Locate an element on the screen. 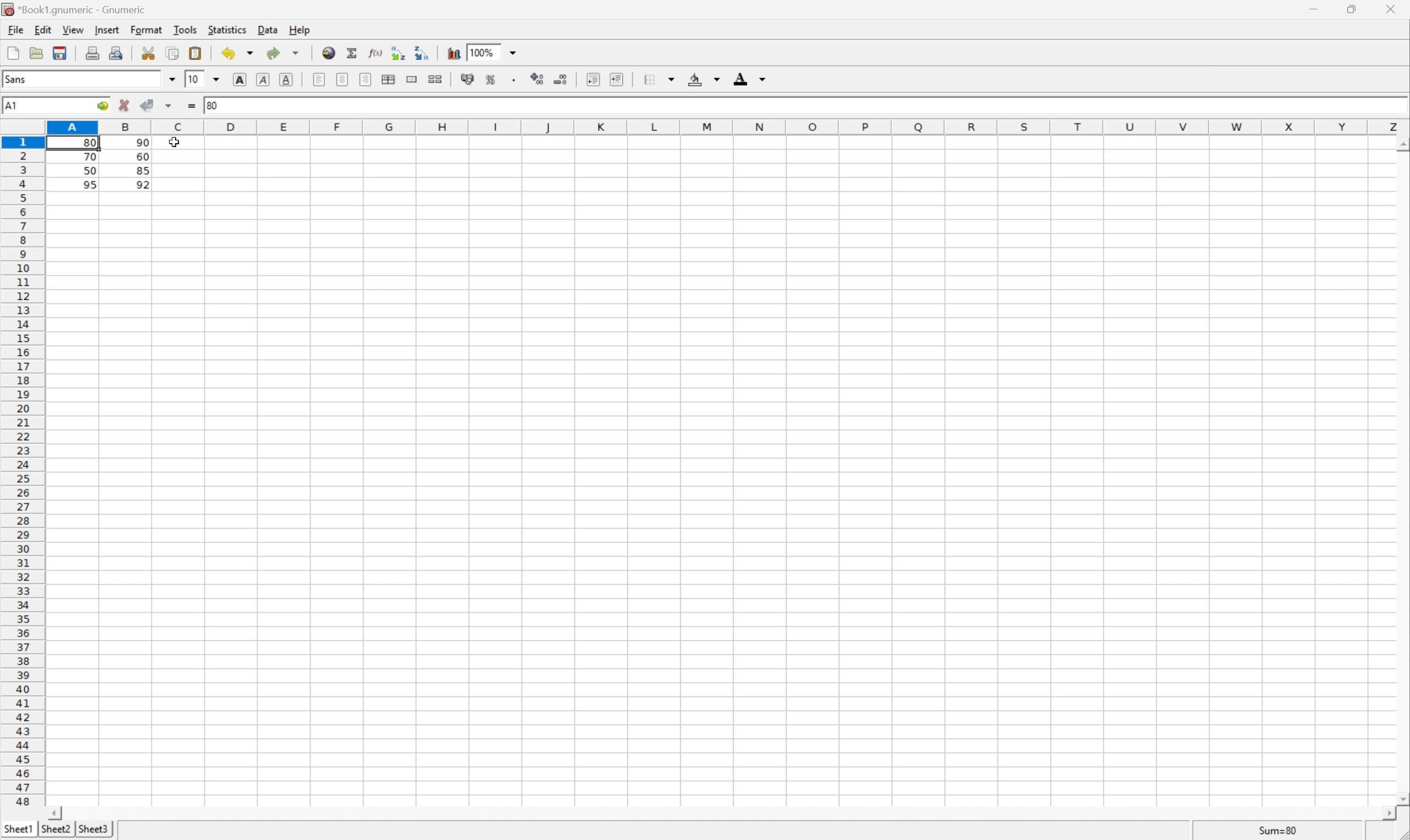 The image size is (1410, 840). Underline is located at coordinates (288, 79).